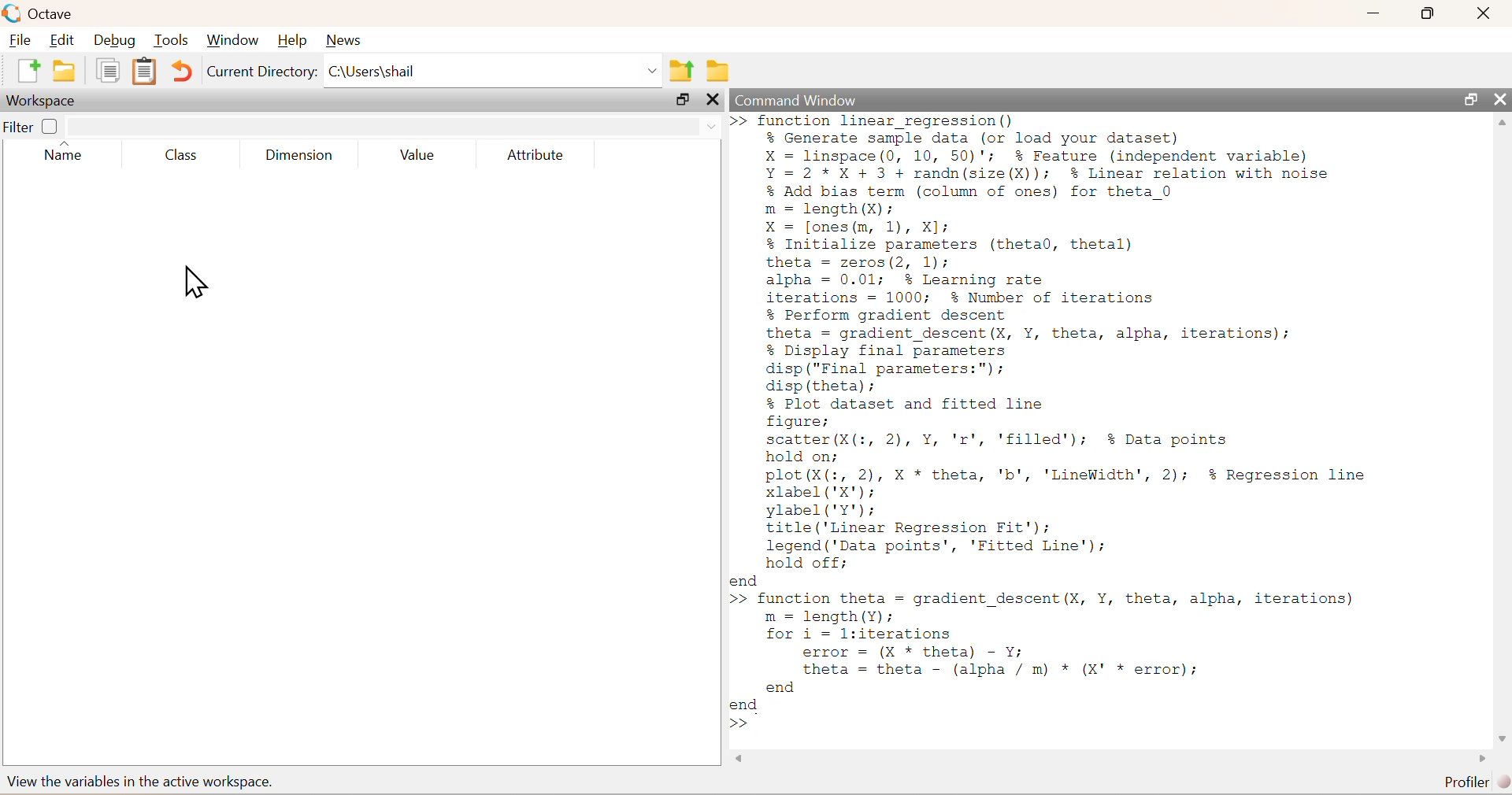 The height and width of the screenshot is (795, 1512). I want to click on scroll right, so click(739, 758).